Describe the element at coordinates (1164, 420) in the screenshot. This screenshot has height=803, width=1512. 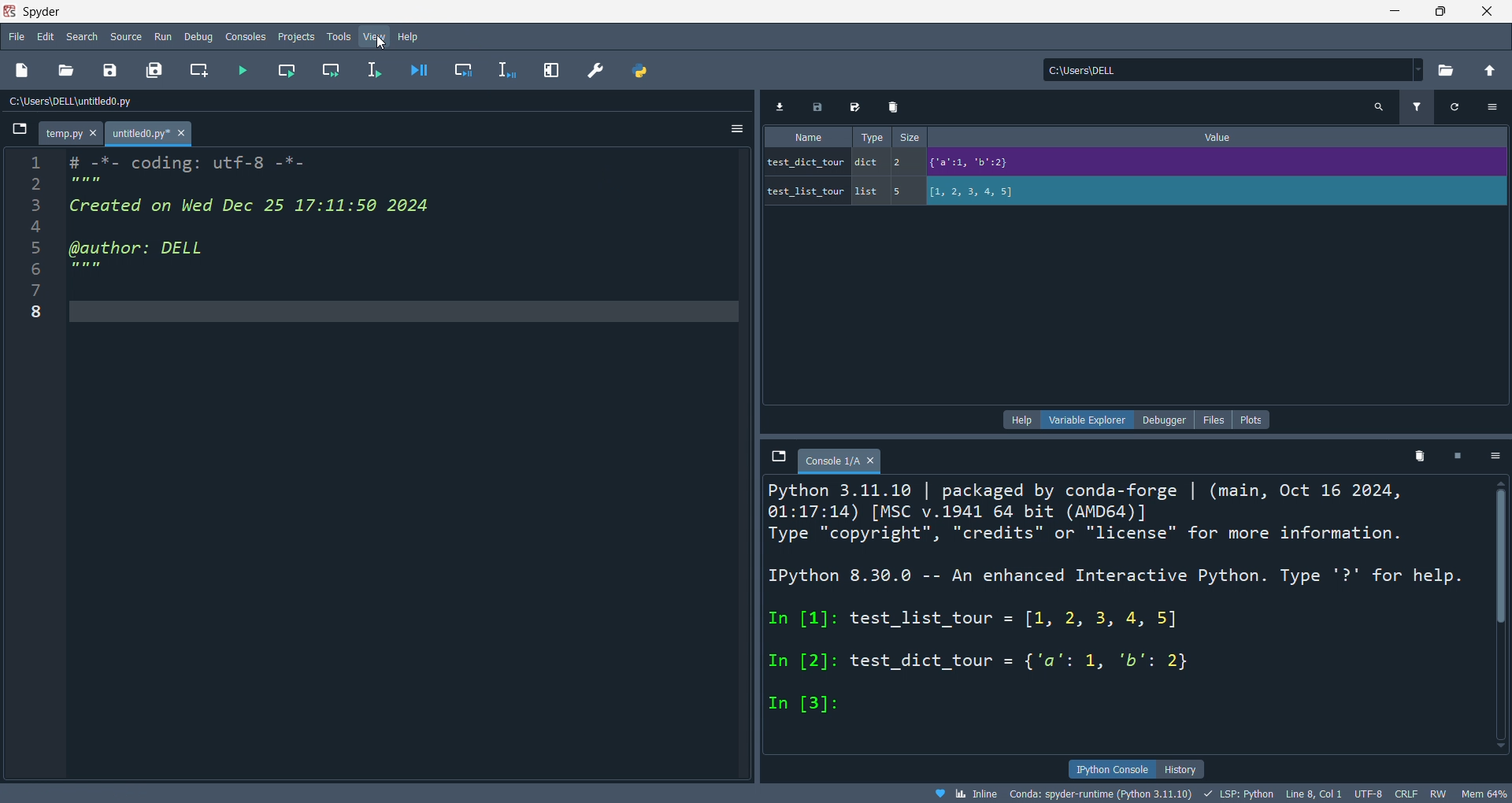
I see `debugger` at that location.